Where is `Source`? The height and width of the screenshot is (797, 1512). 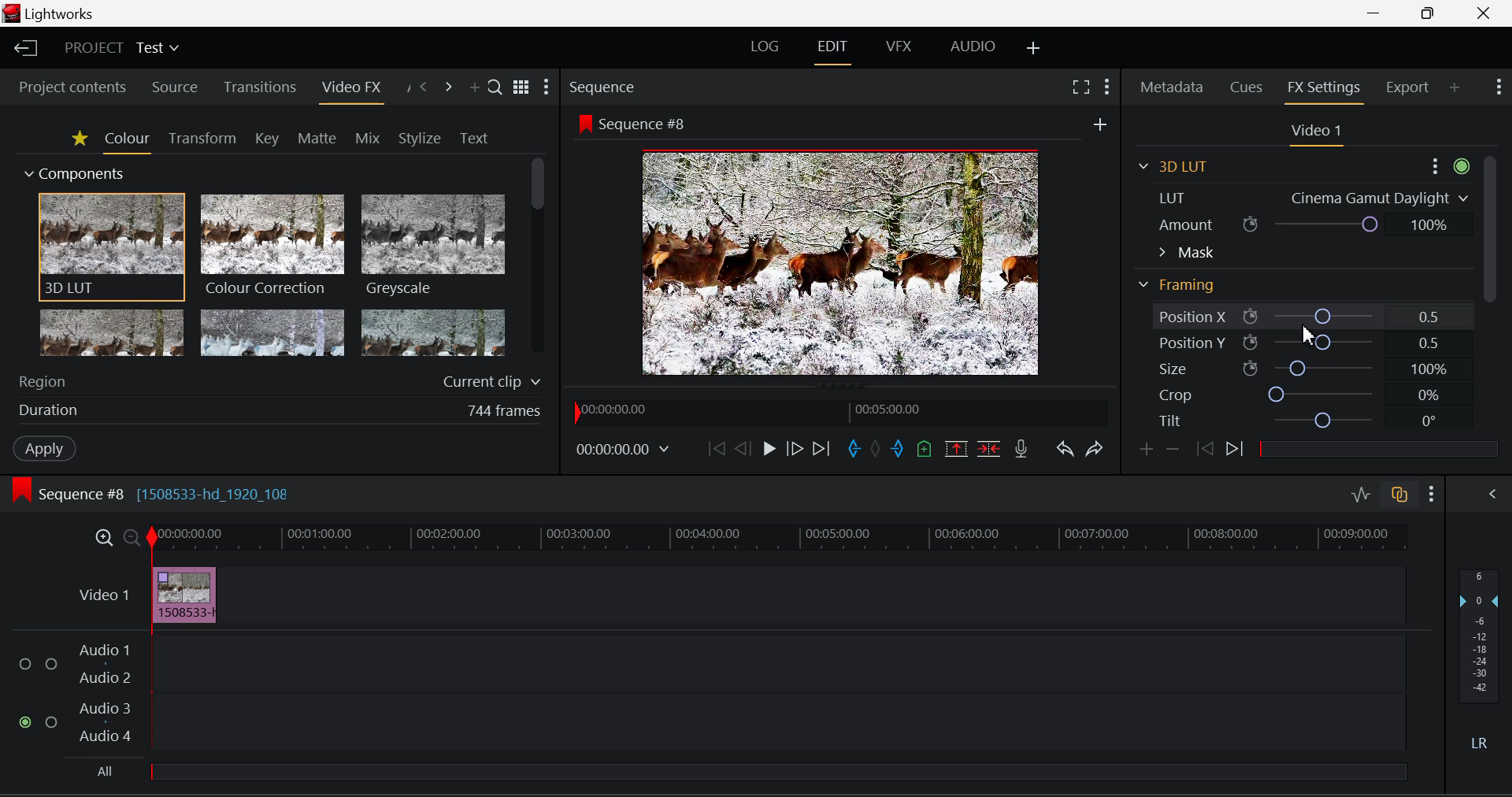 Source is located at coordinates (176, 87).